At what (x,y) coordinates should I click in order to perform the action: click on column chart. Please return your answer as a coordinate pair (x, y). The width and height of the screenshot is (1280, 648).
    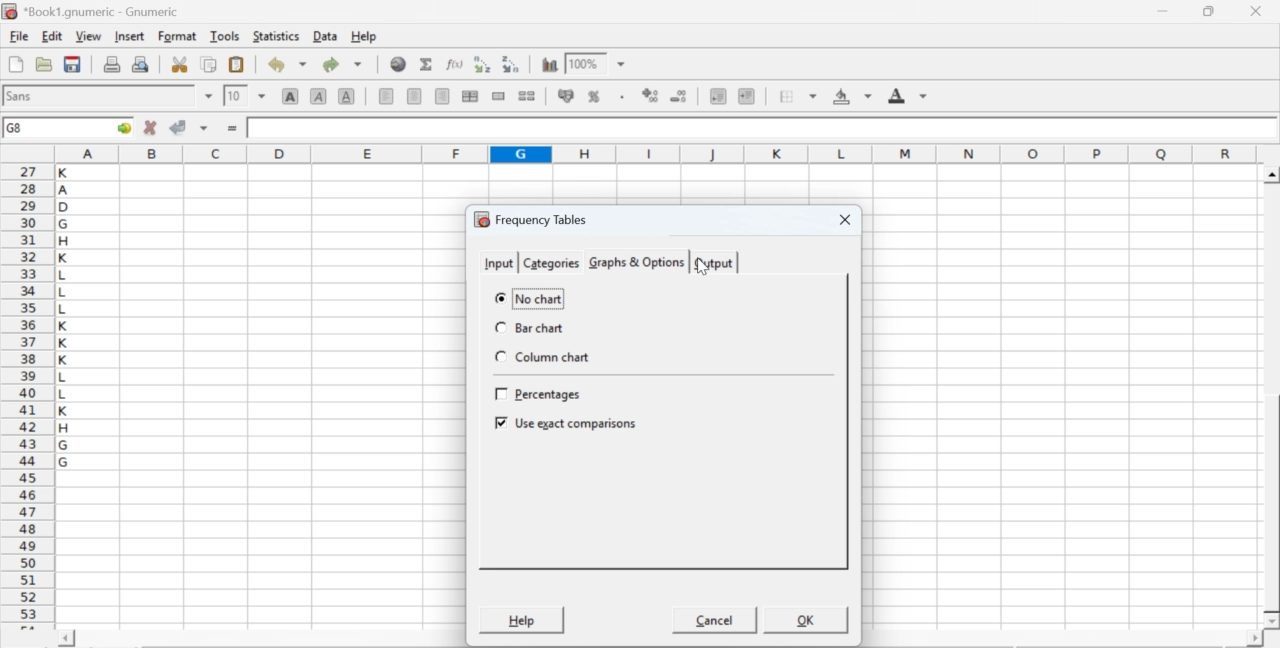
    Looking at the image, I should click on (543, 357).